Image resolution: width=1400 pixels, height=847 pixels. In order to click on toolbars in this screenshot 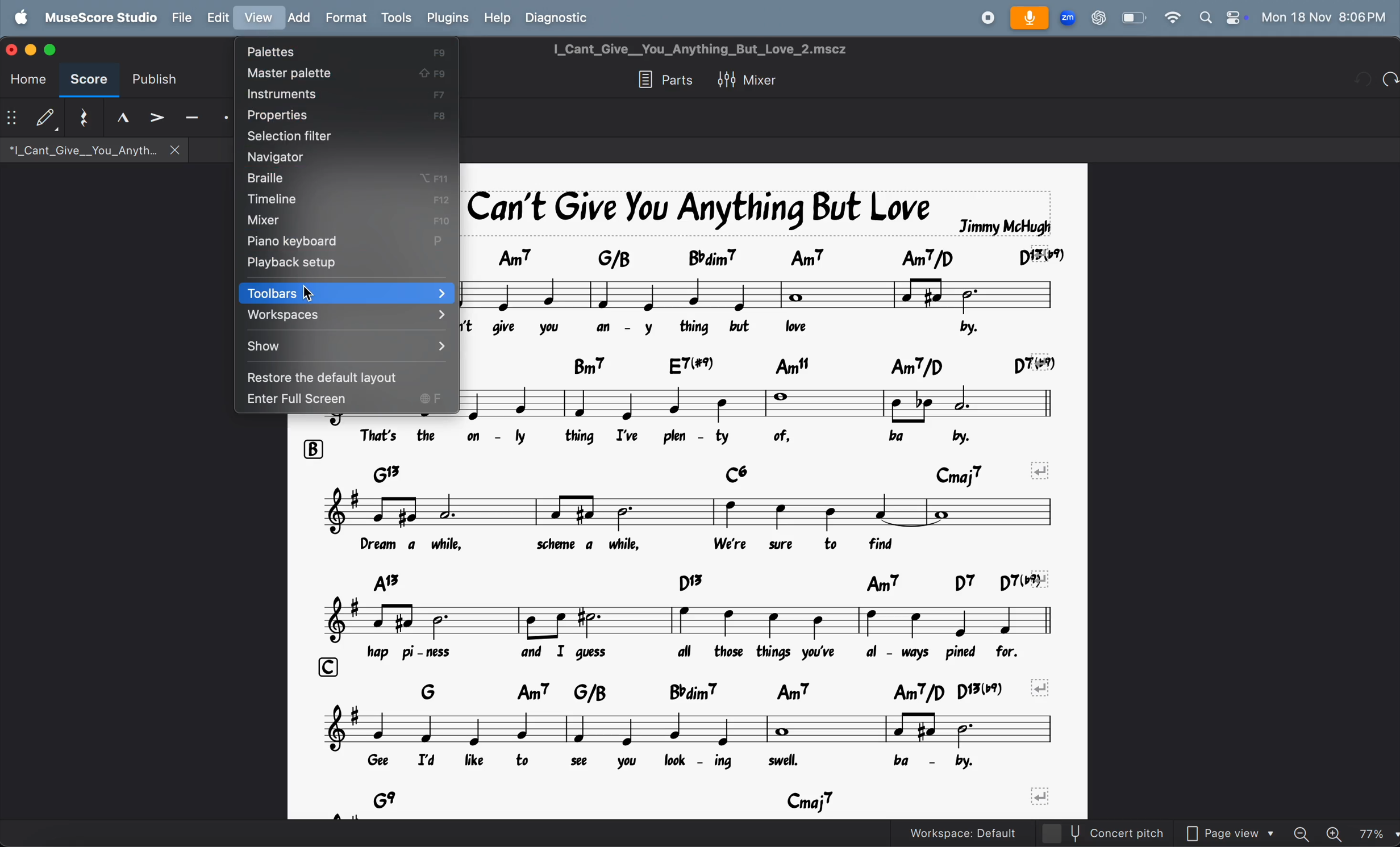, I will do `click(348, 291)`.